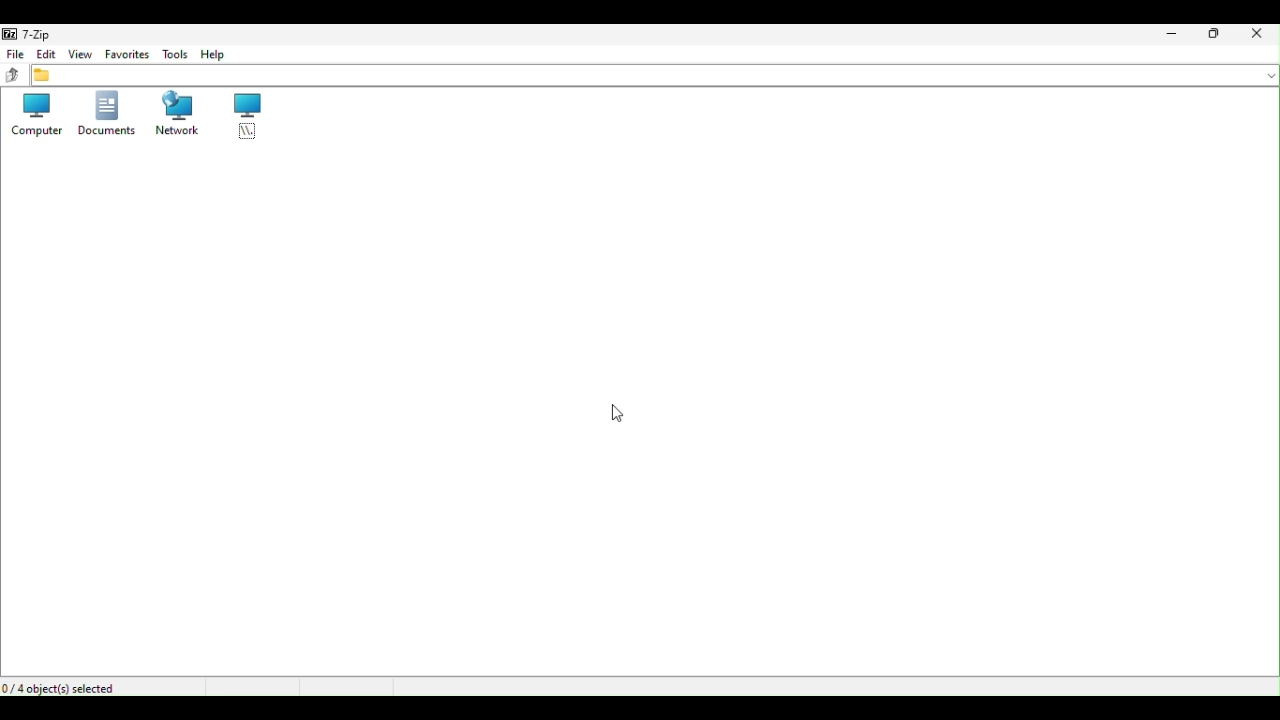  I want to click on File address bar, so click(655, 77).